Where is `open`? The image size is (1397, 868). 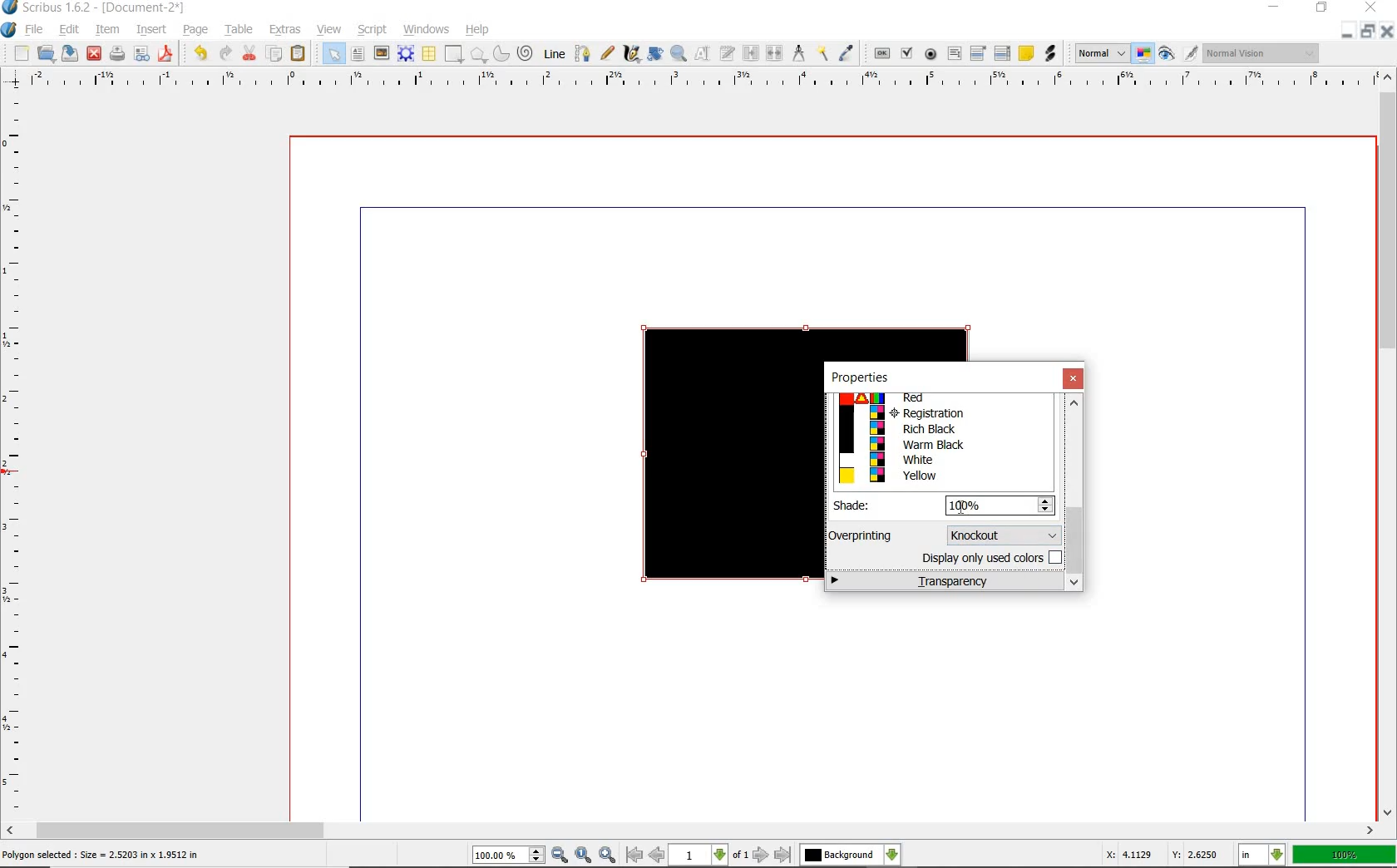
open is located at coordinates (45, 55).